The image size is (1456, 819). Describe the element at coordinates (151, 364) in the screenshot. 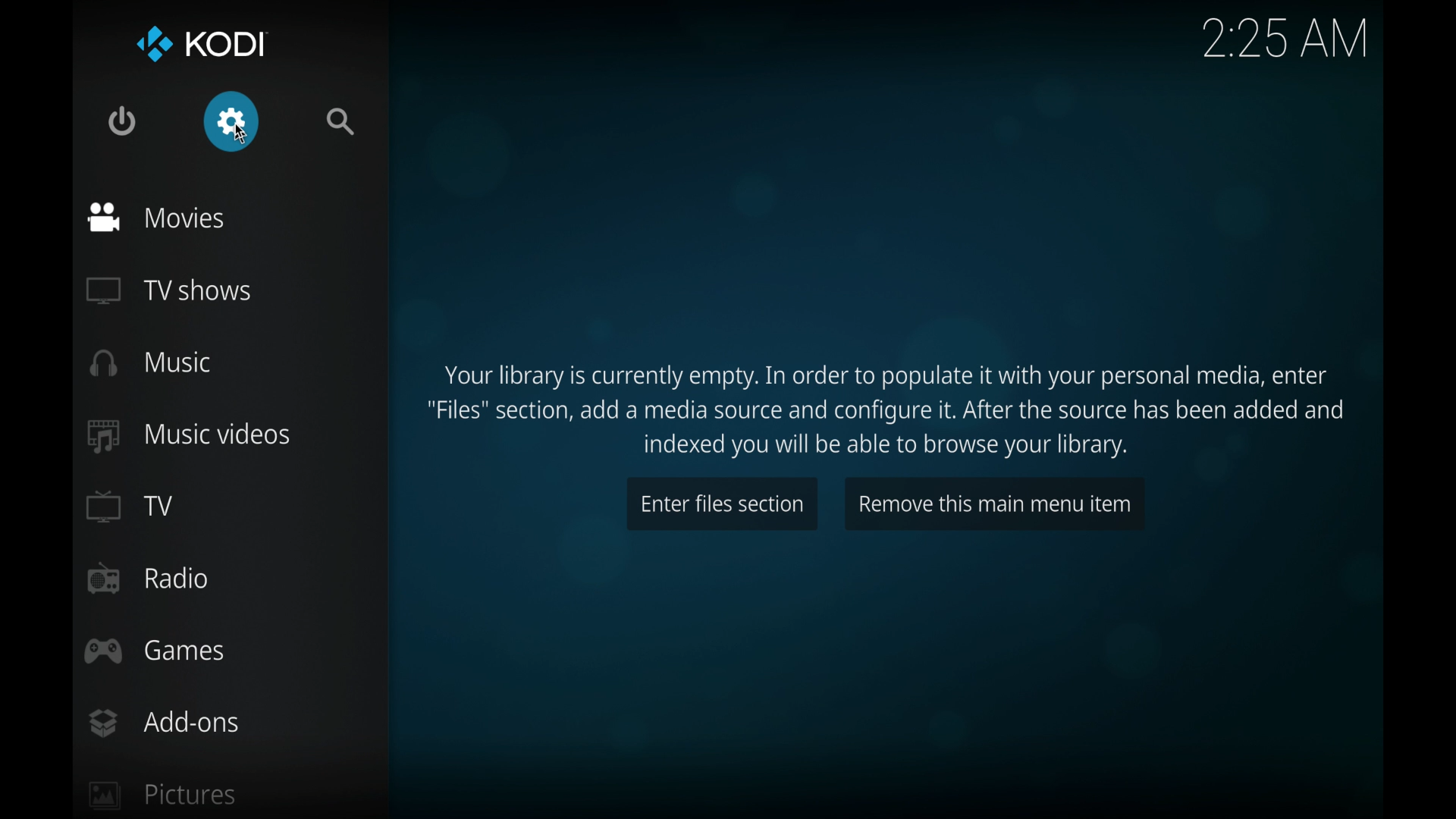

I see `music` at that location.